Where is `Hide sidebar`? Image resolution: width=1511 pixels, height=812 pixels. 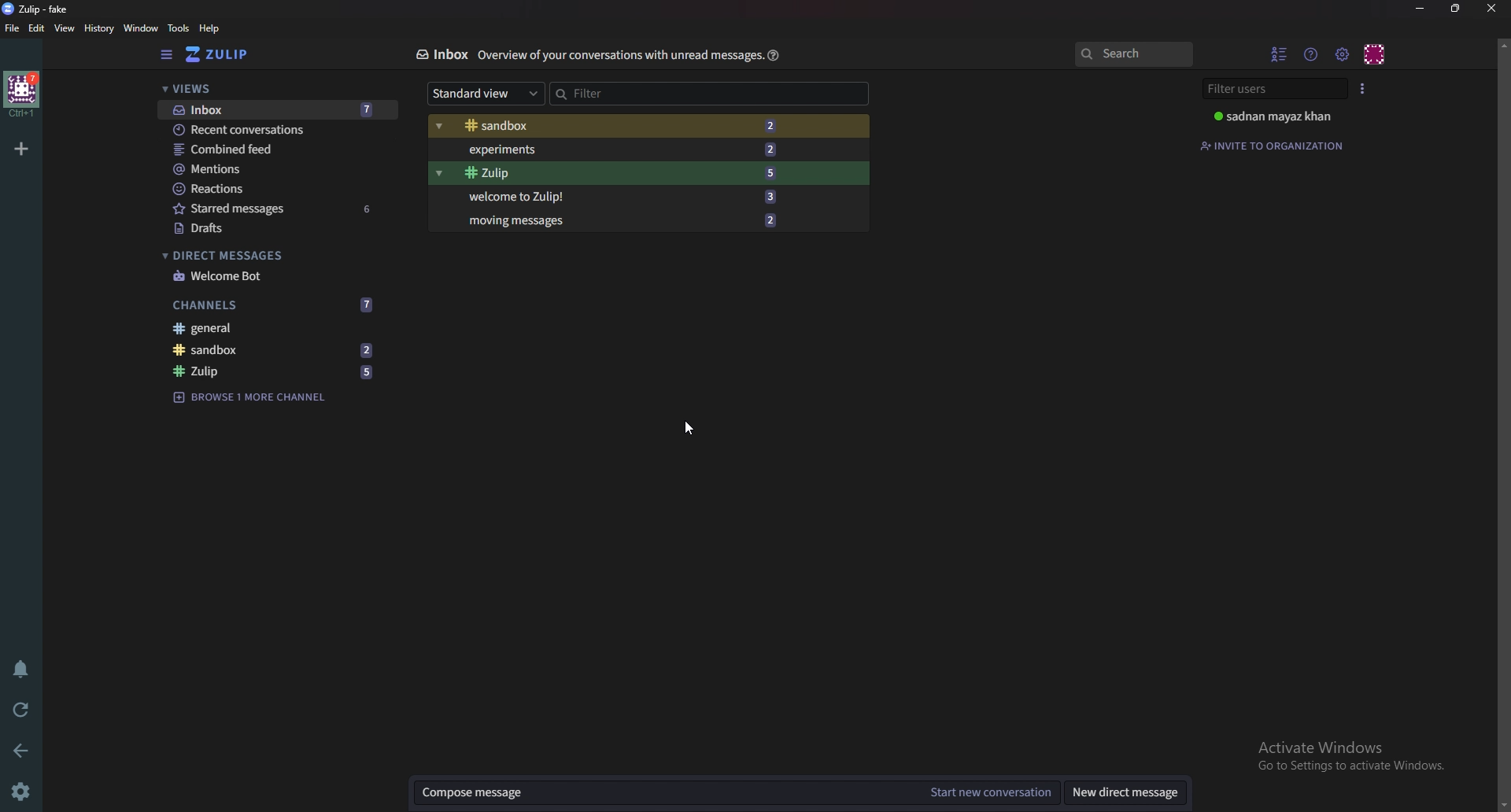 Hide sidebar is located at coordinates (168, 54).